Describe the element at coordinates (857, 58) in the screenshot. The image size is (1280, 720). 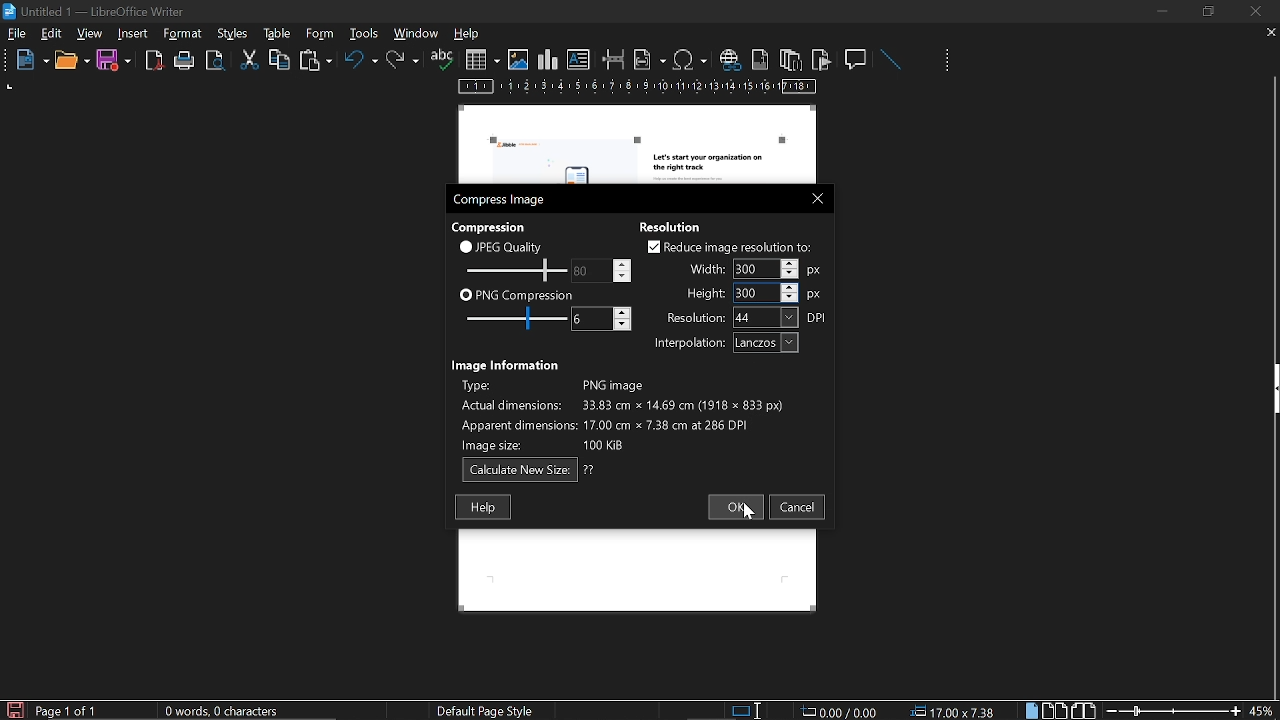
I see `insert comment` at that location.